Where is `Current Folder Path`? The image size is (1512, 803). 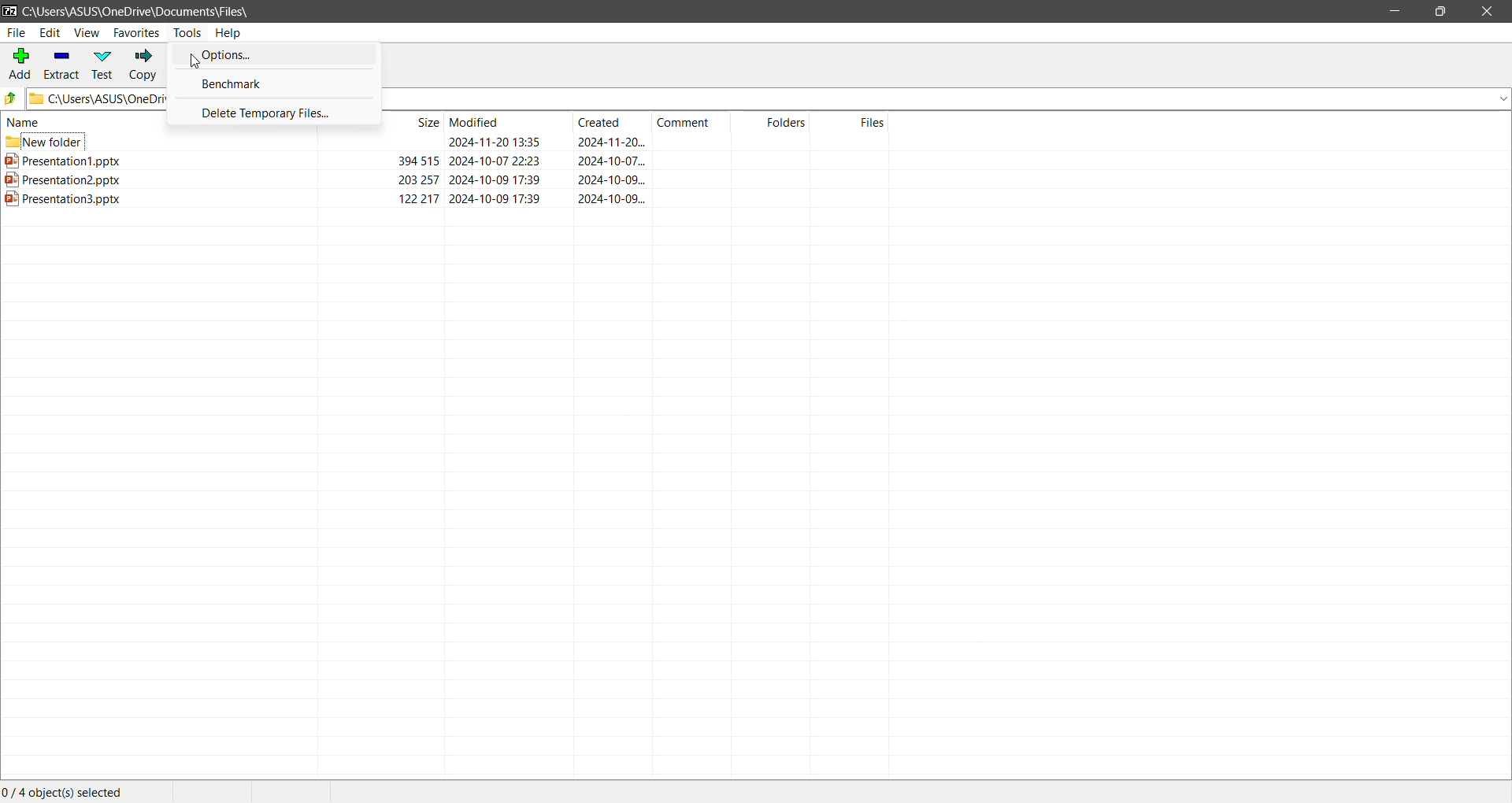
Current Folder Path is located at coordinates (97, 99).